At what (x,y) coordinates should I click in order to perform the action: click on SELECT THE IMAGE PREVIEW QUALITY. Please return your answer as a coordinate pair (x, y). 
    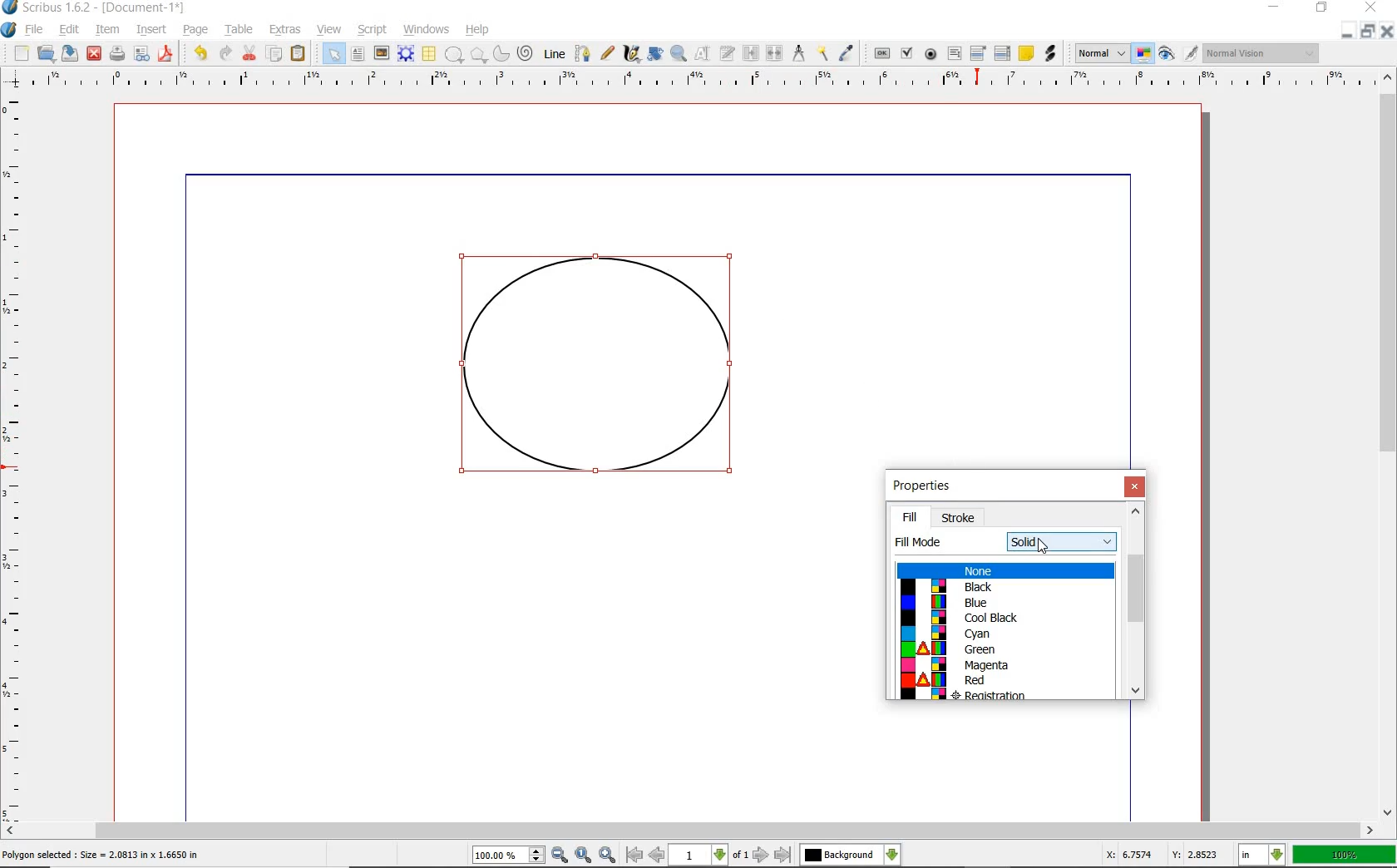
    Looking at the image, I should click on (1102, 53).